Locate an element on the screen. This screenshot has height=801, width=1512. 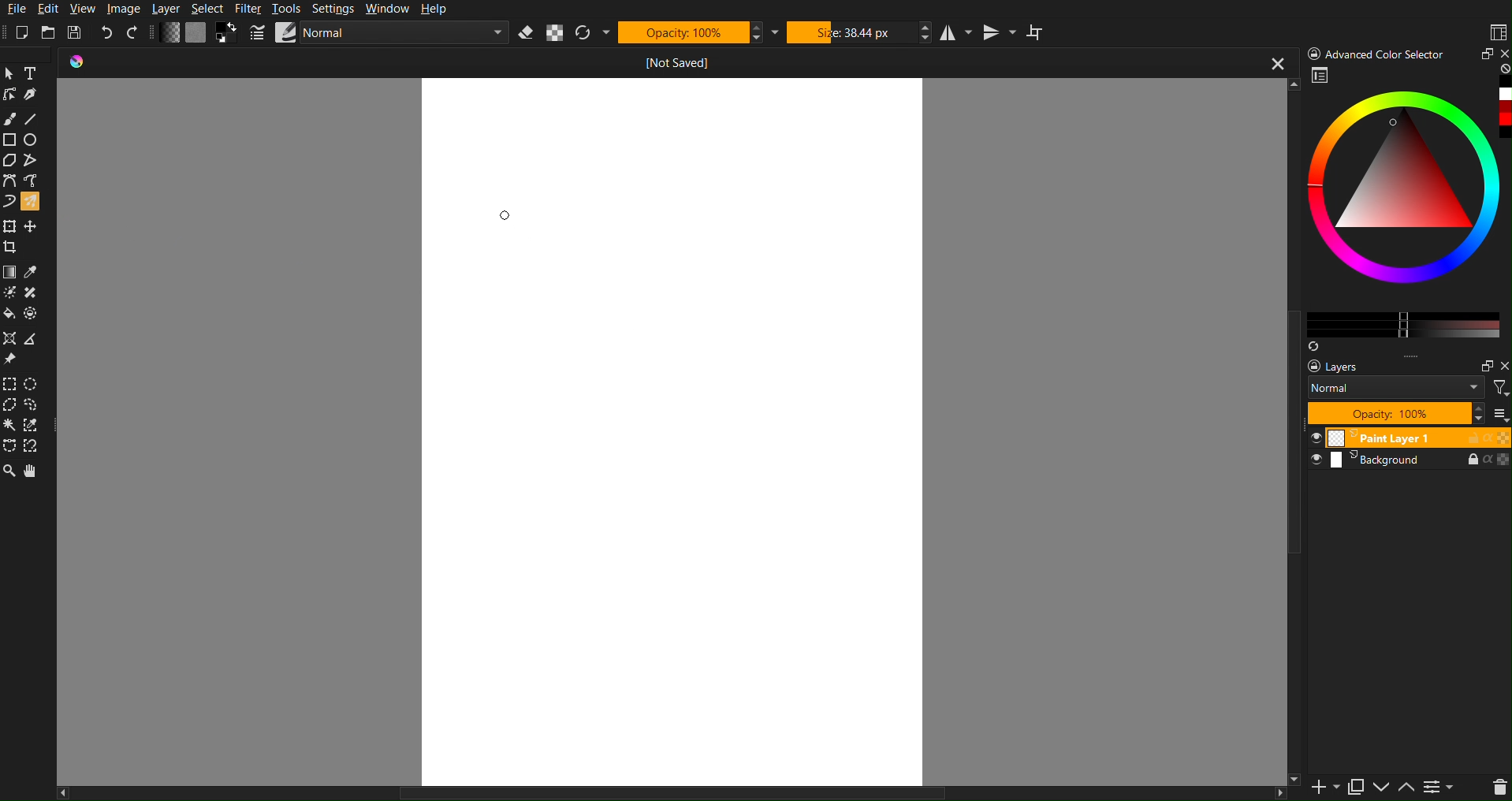
Edit is located at coordinates (52, 9).